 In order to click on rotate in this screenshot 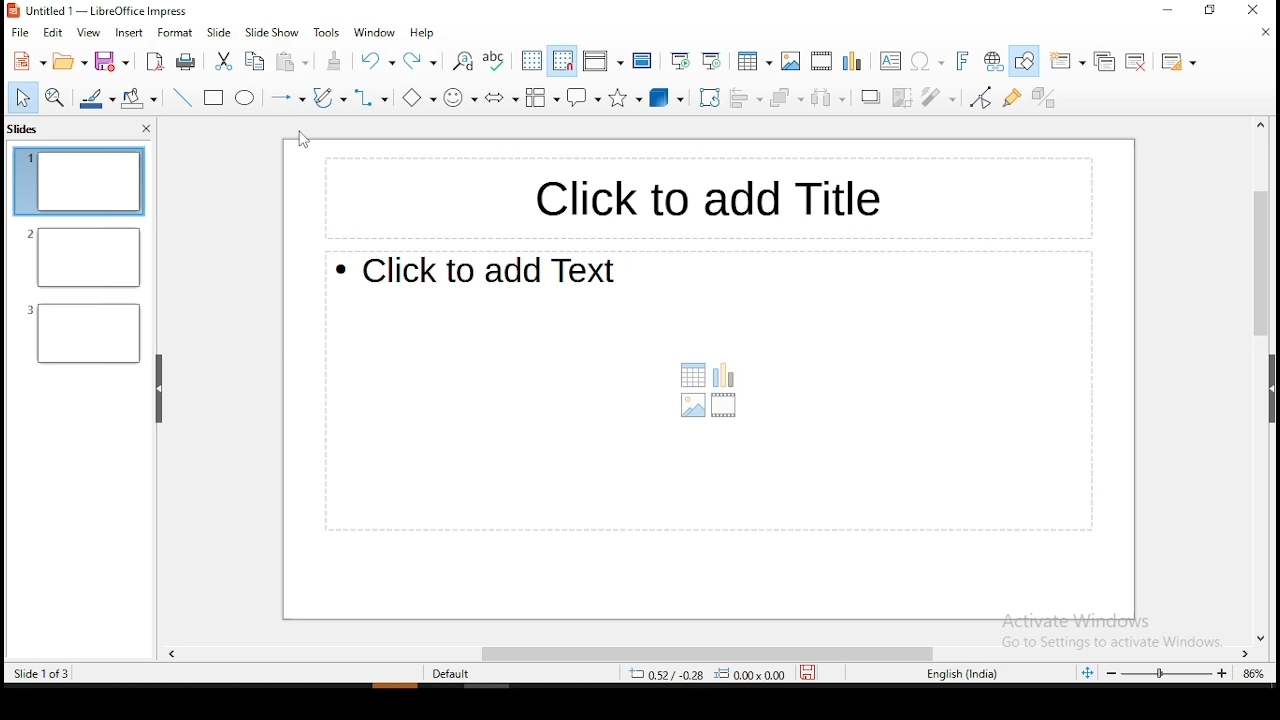, I will do `click(709, 98)`.